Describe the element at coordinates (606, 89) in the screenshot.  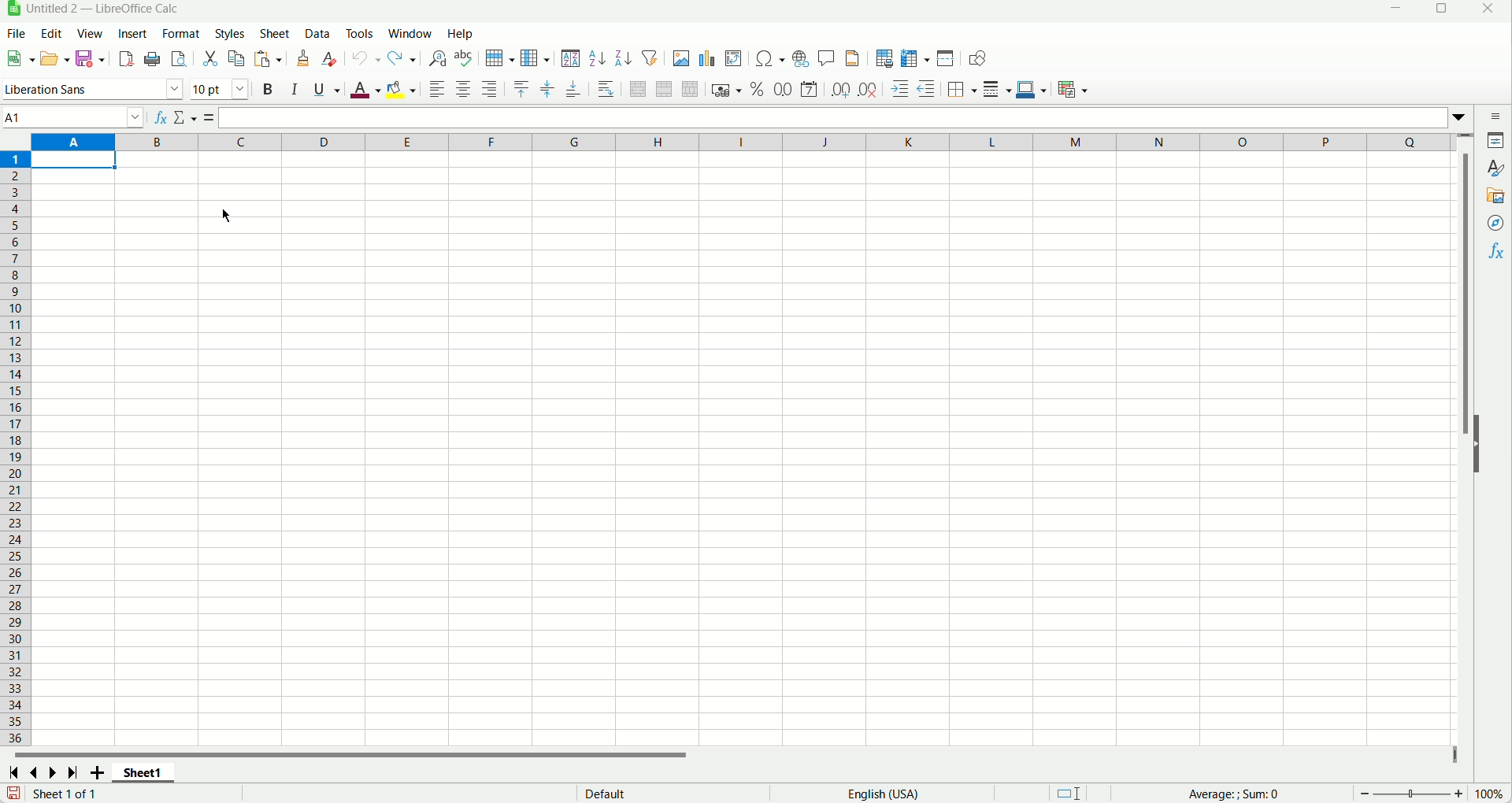
I see `Wrap text` at that location.